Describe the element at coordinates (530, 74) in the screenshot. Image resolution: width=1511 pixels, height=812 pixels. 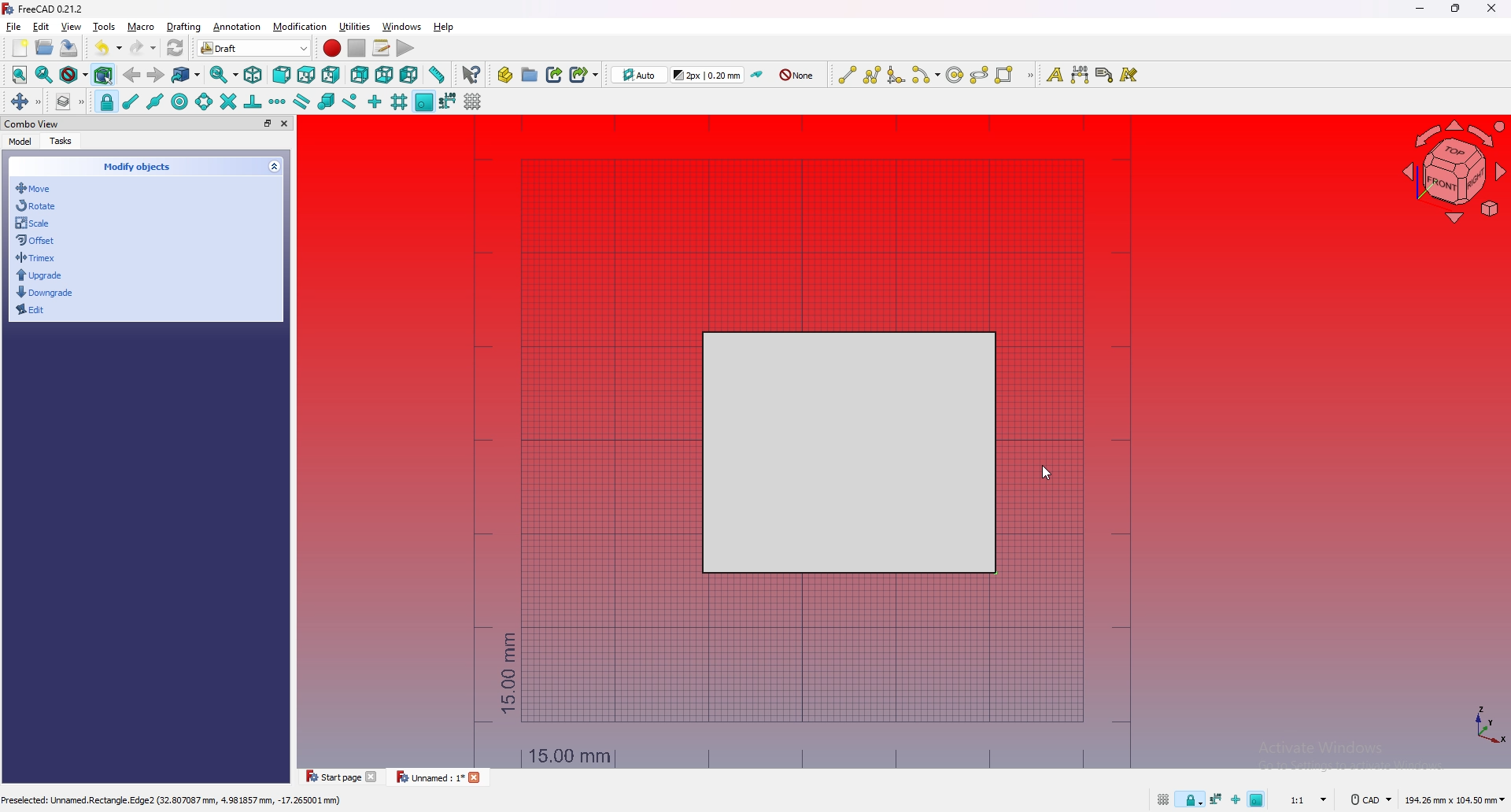
I see `create group` at that location.